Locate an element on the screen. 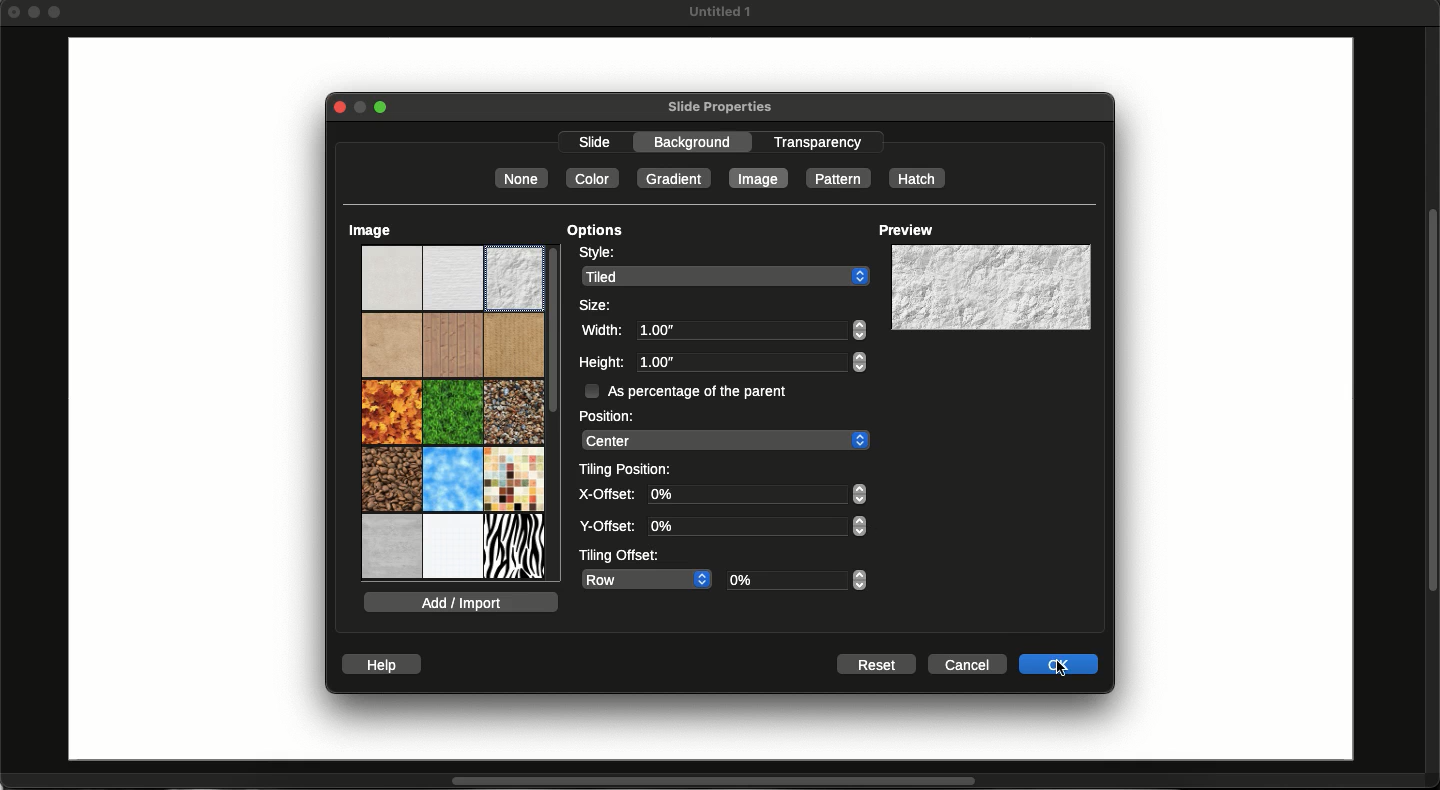  Slide properties is located at coordinates (719, 108).